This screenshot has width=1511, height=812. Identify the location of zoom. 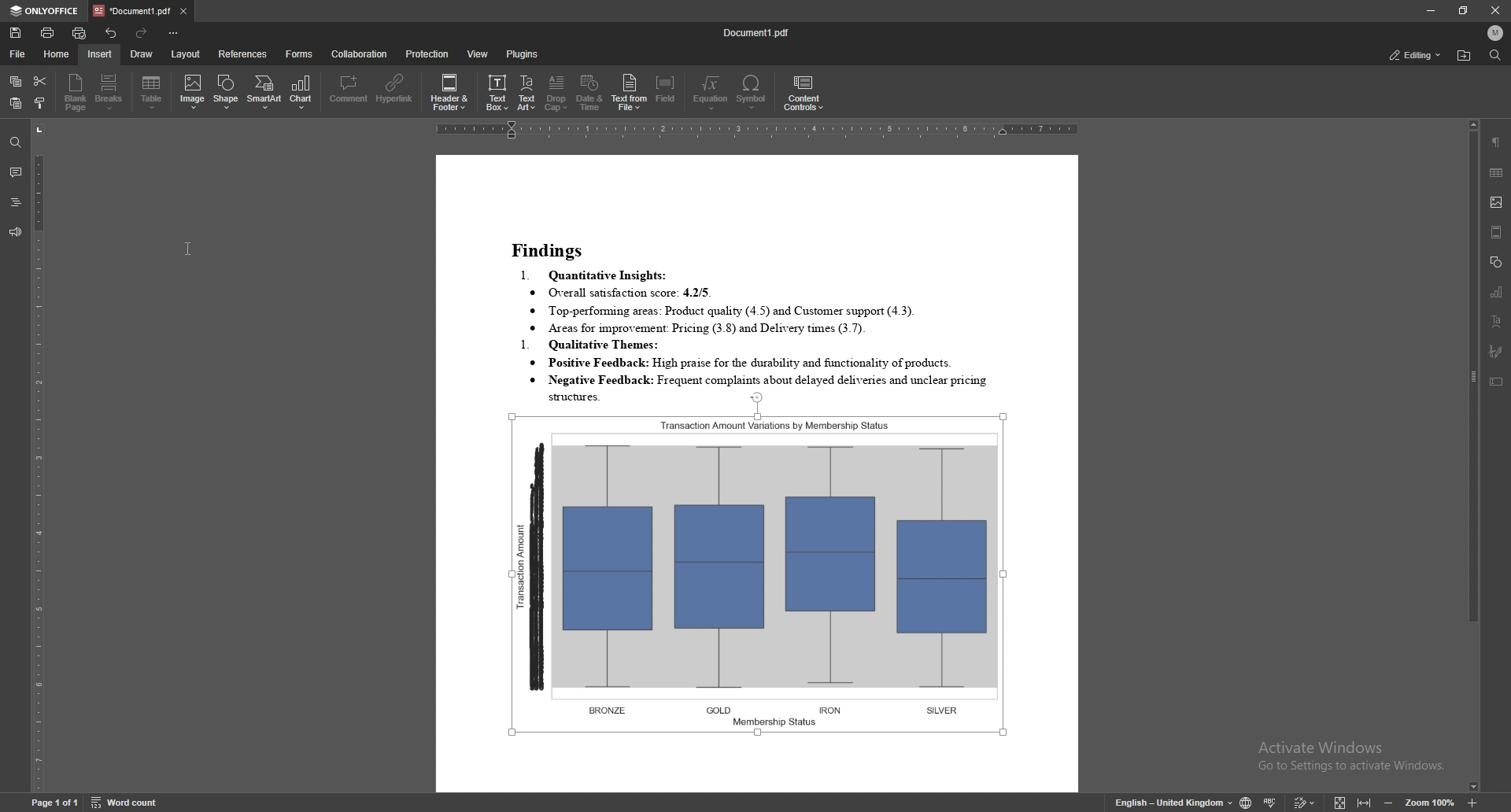
(1429, 803).